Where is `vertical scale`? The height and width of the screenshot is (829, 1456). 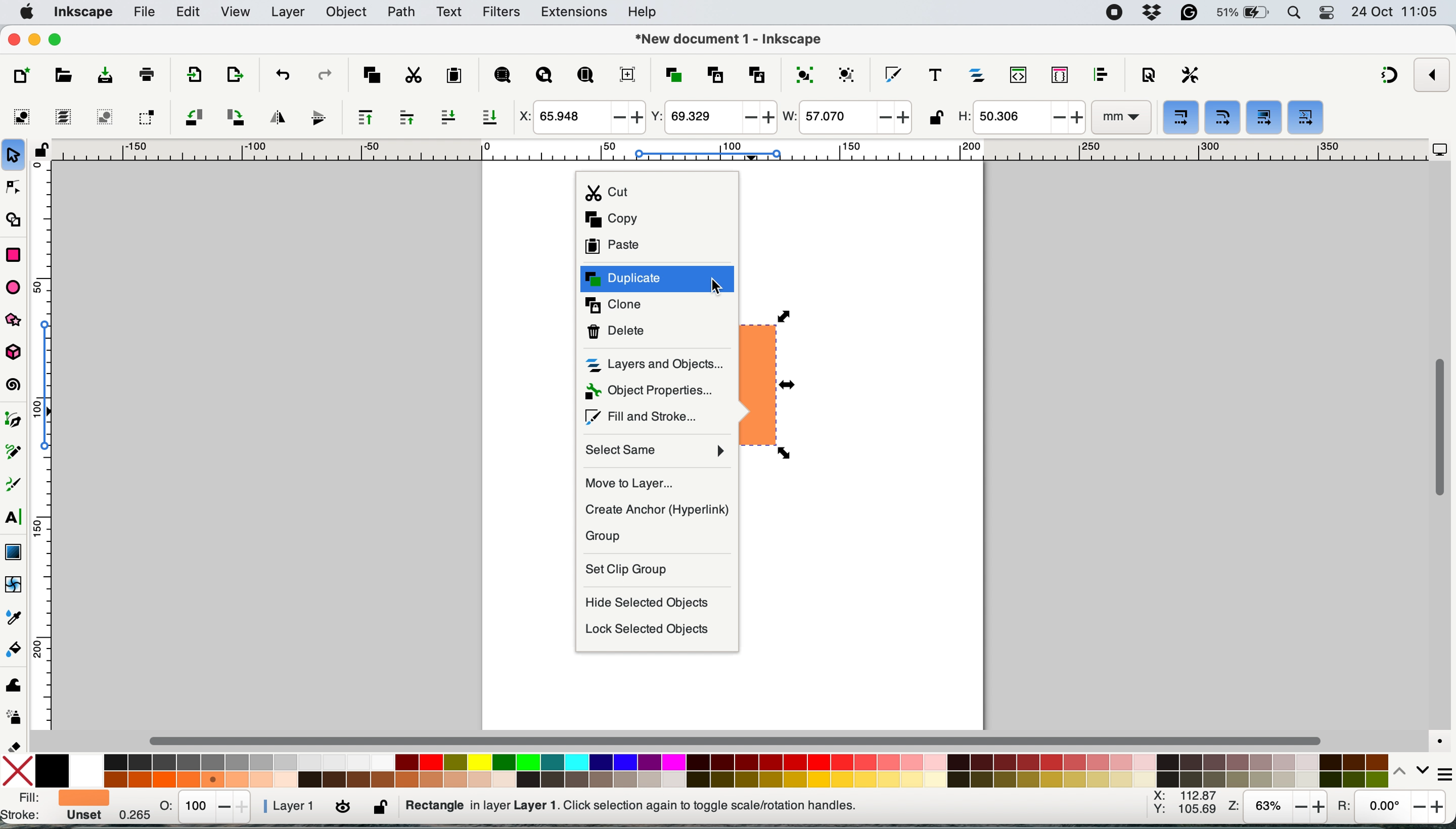 vertical scale is located at coordinates (52, 451).